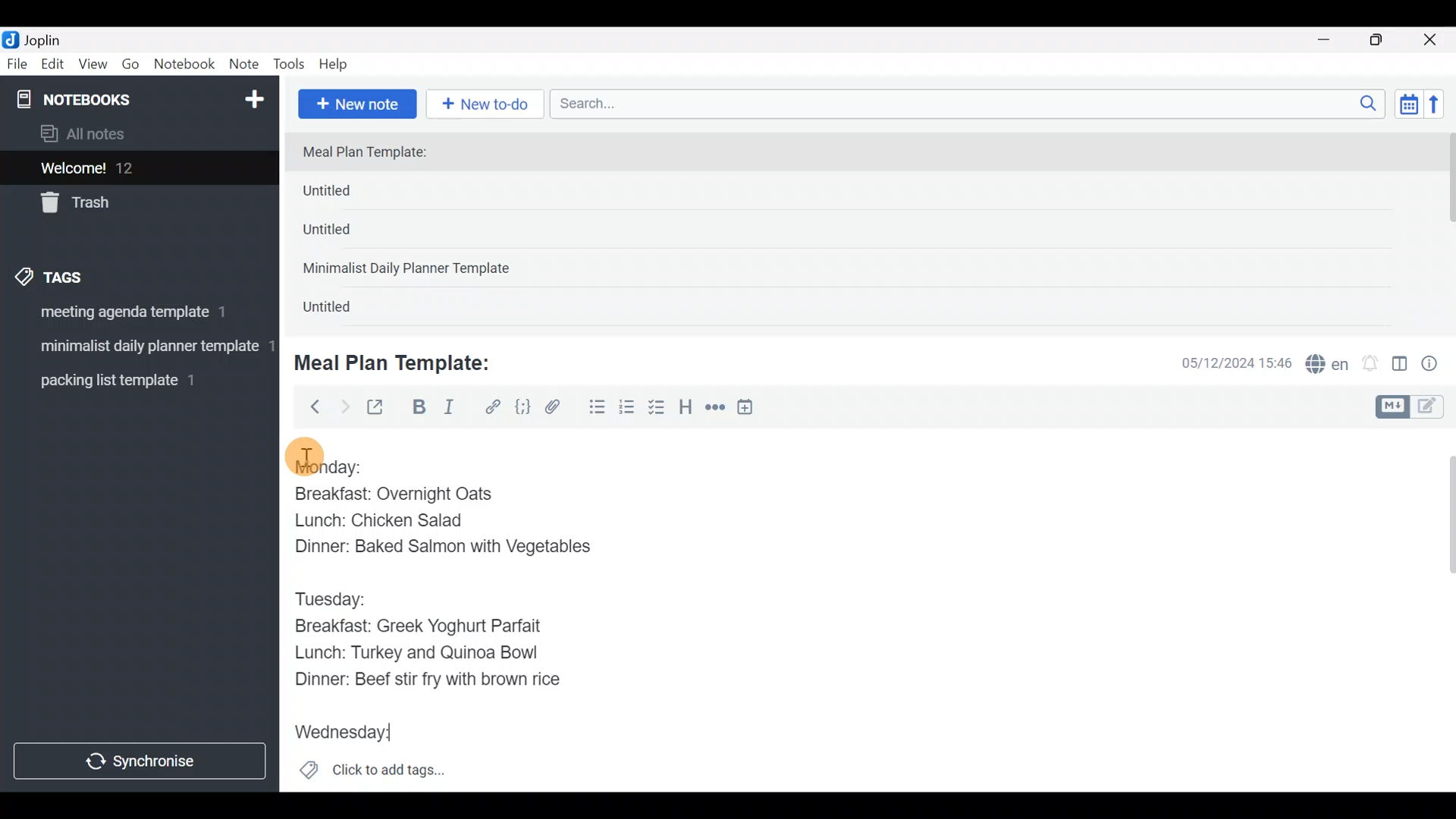  Describe the element at coordinates (356, 102) in the screenshot. I see `New note` at that location.